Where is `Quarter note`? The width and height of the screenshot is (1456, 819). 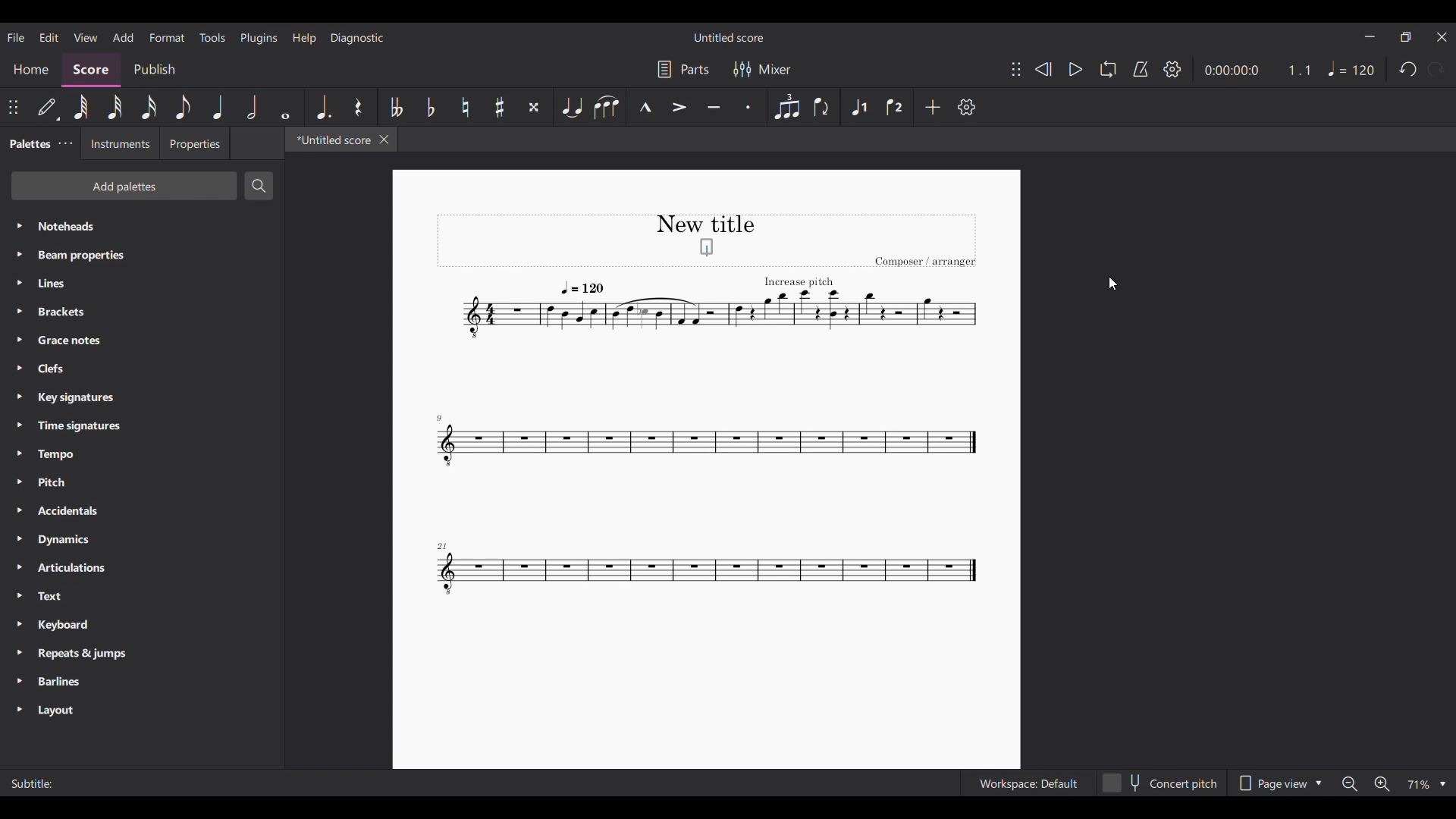
Quarter note is located at coordinates (218, 107).